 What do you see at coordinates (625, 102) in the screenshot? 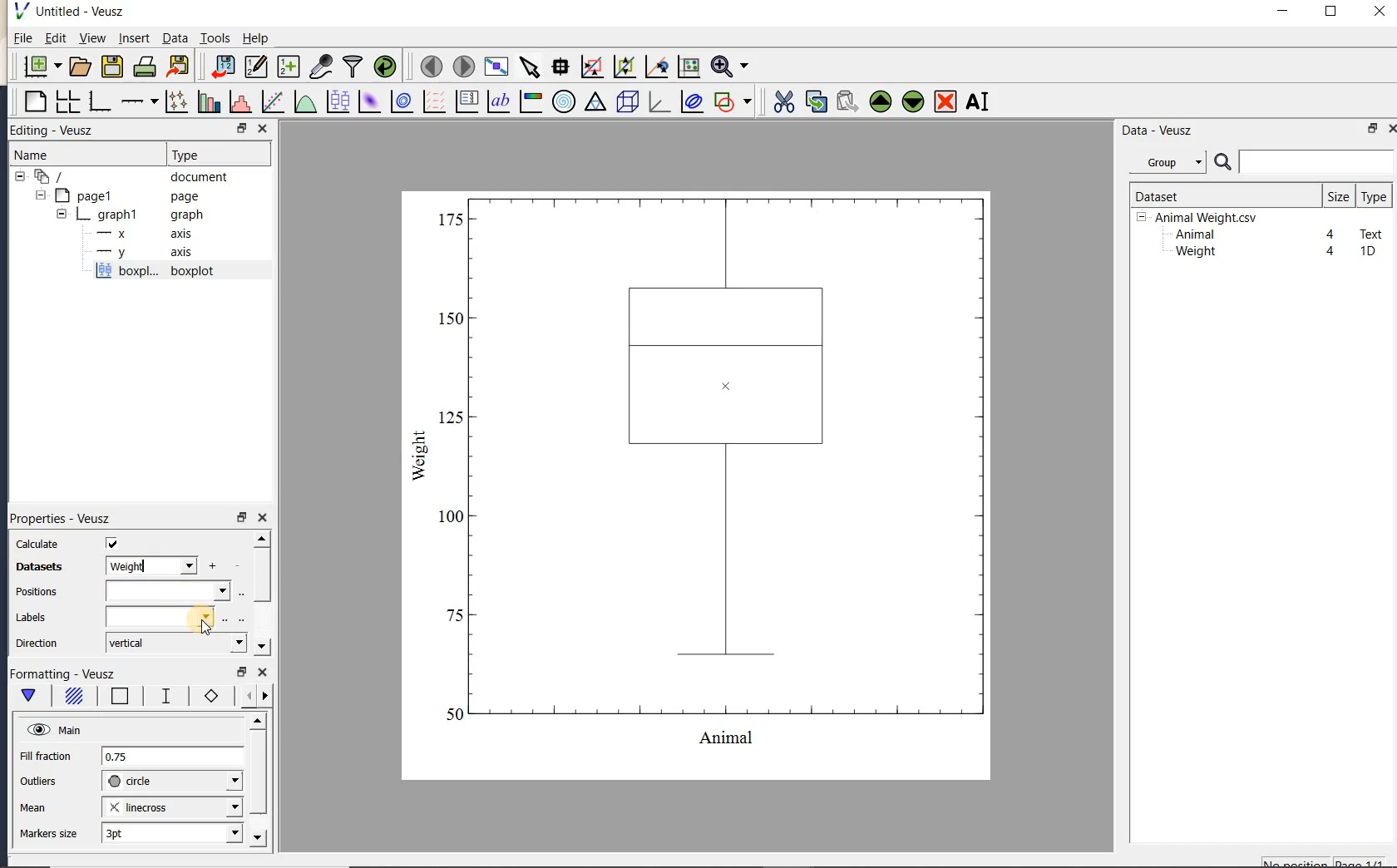
I see `3d scene` at bounding box center [625, 102].